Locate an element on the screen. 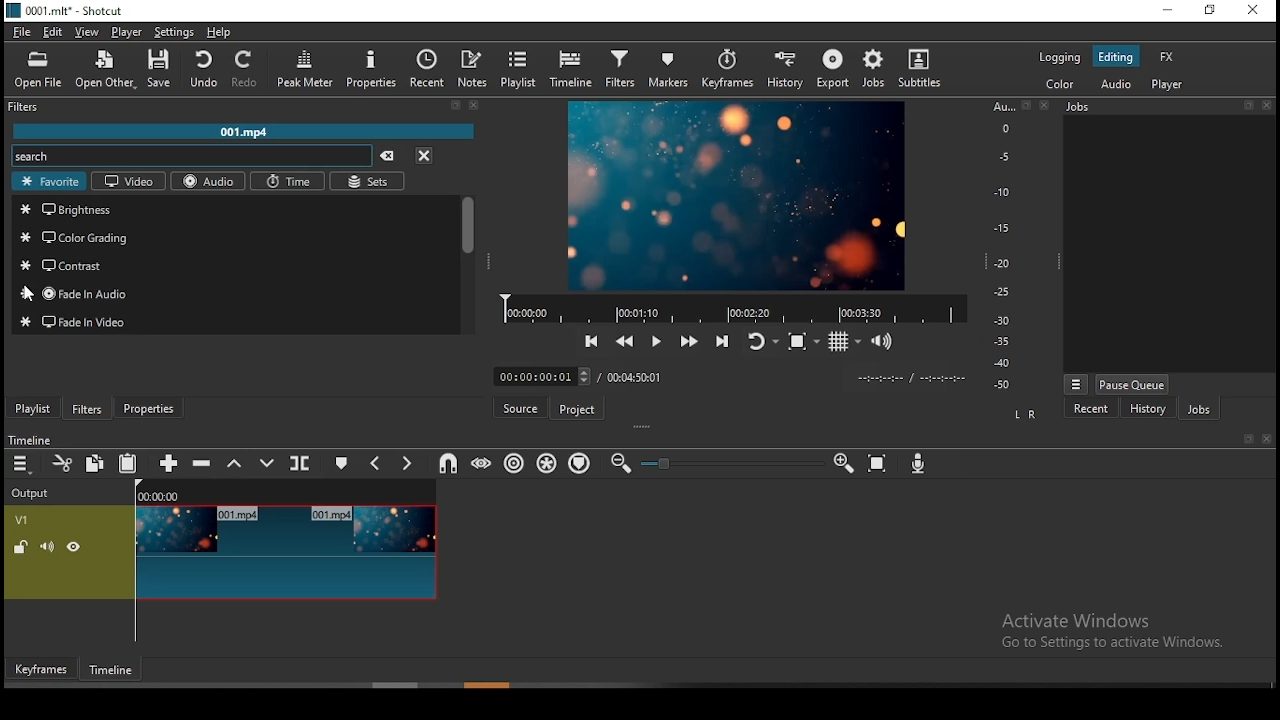 This screenshot has height=720, width=1280. skip to next point is located at coordinates (723, 334).